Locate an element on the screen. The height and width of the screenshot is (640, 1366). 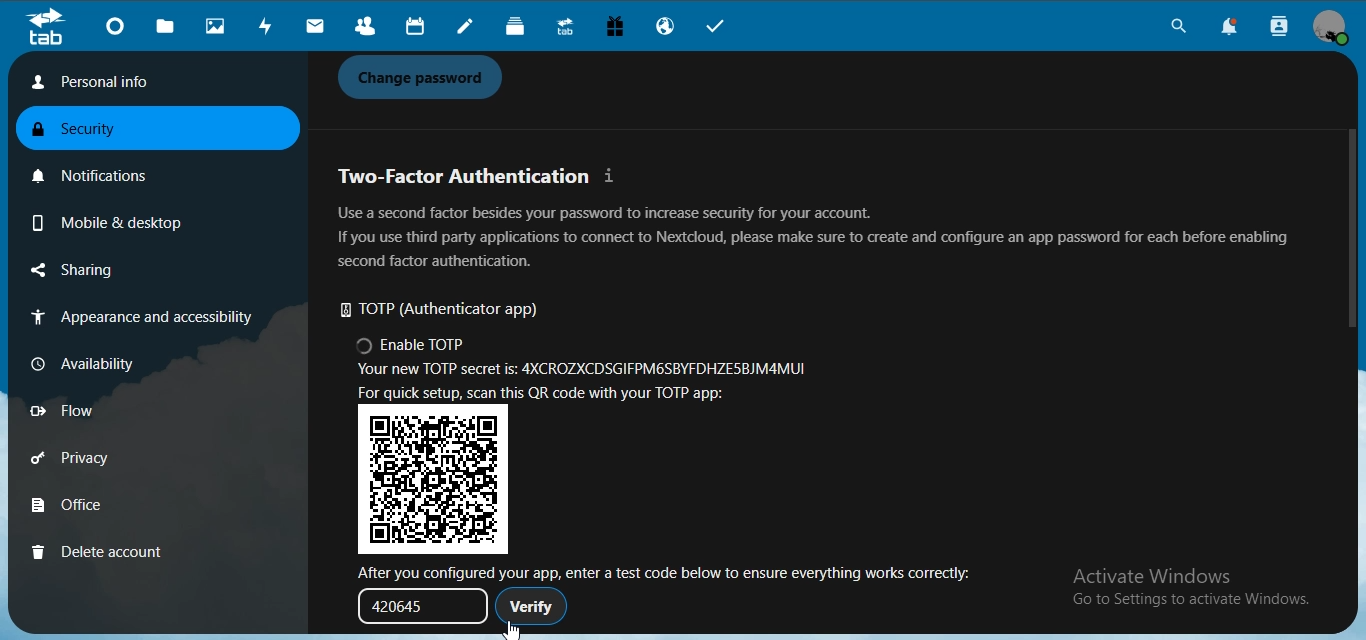
notifications is located at coordinates (1236, 28).